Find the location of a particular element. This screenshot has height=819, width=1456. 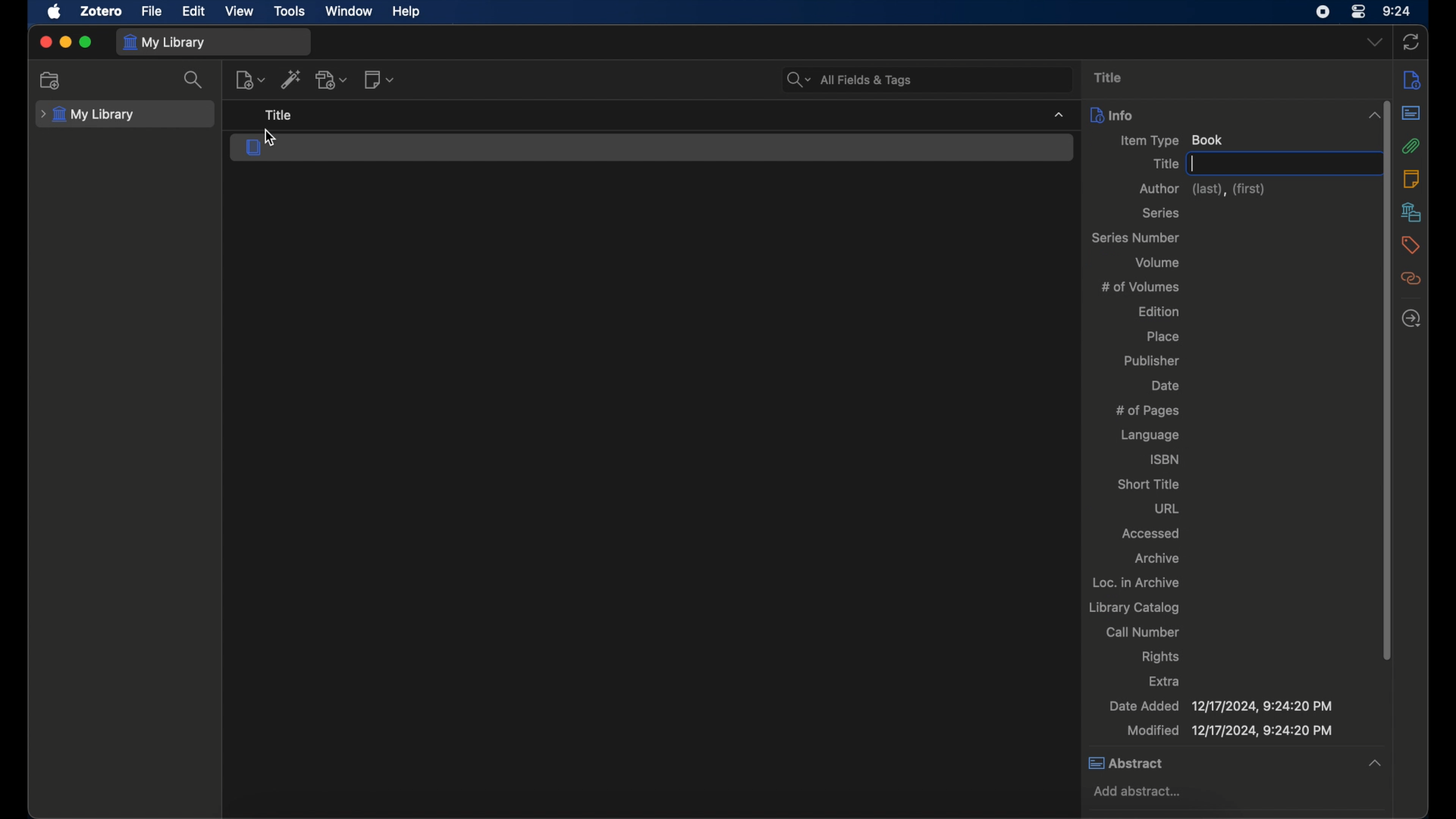

short title is located at coordinates (1148, 484).